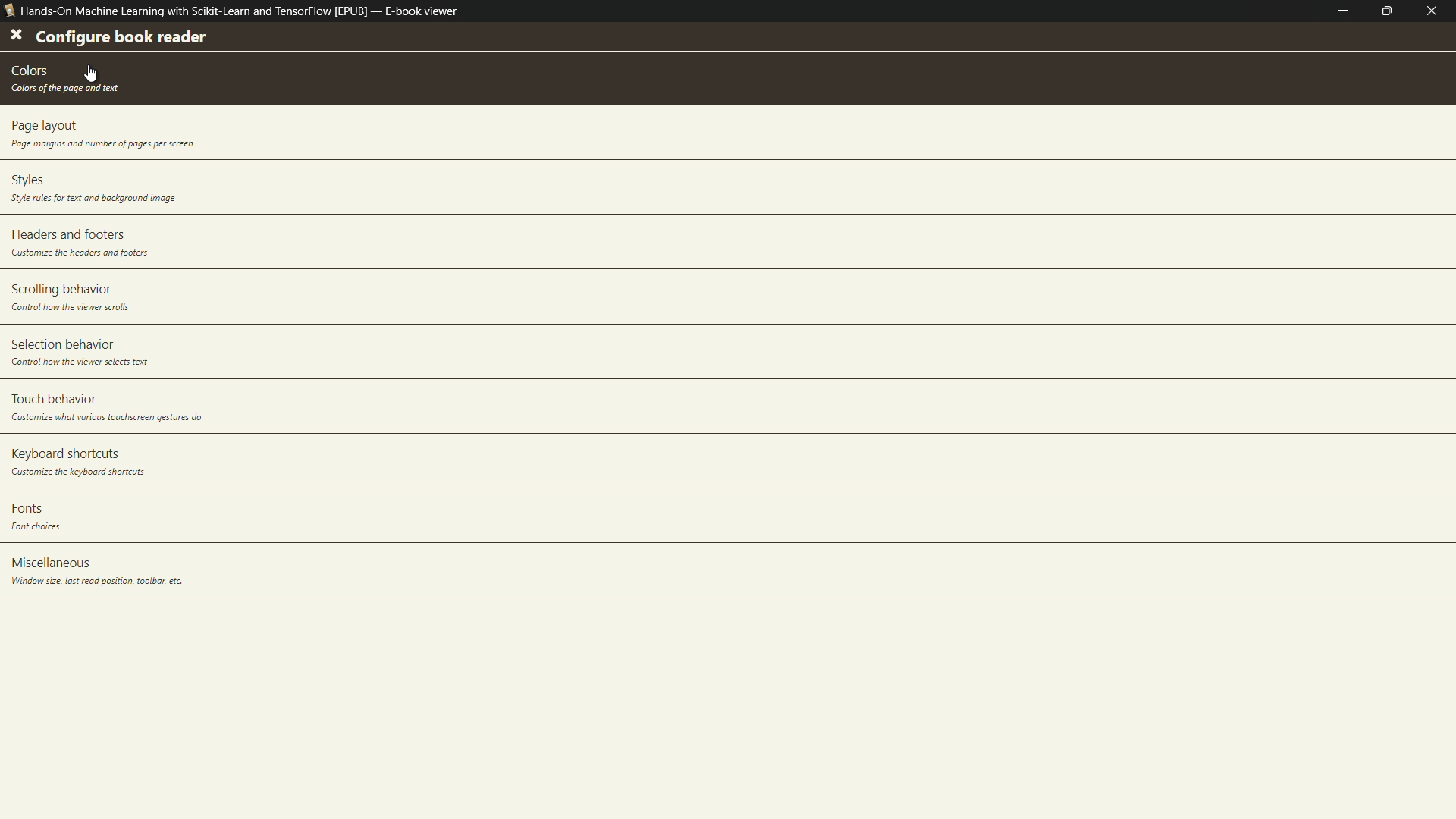  What do you see at coordinates (74, 308) in the screenshot?
I see `text` at bounding box center [74, 308].